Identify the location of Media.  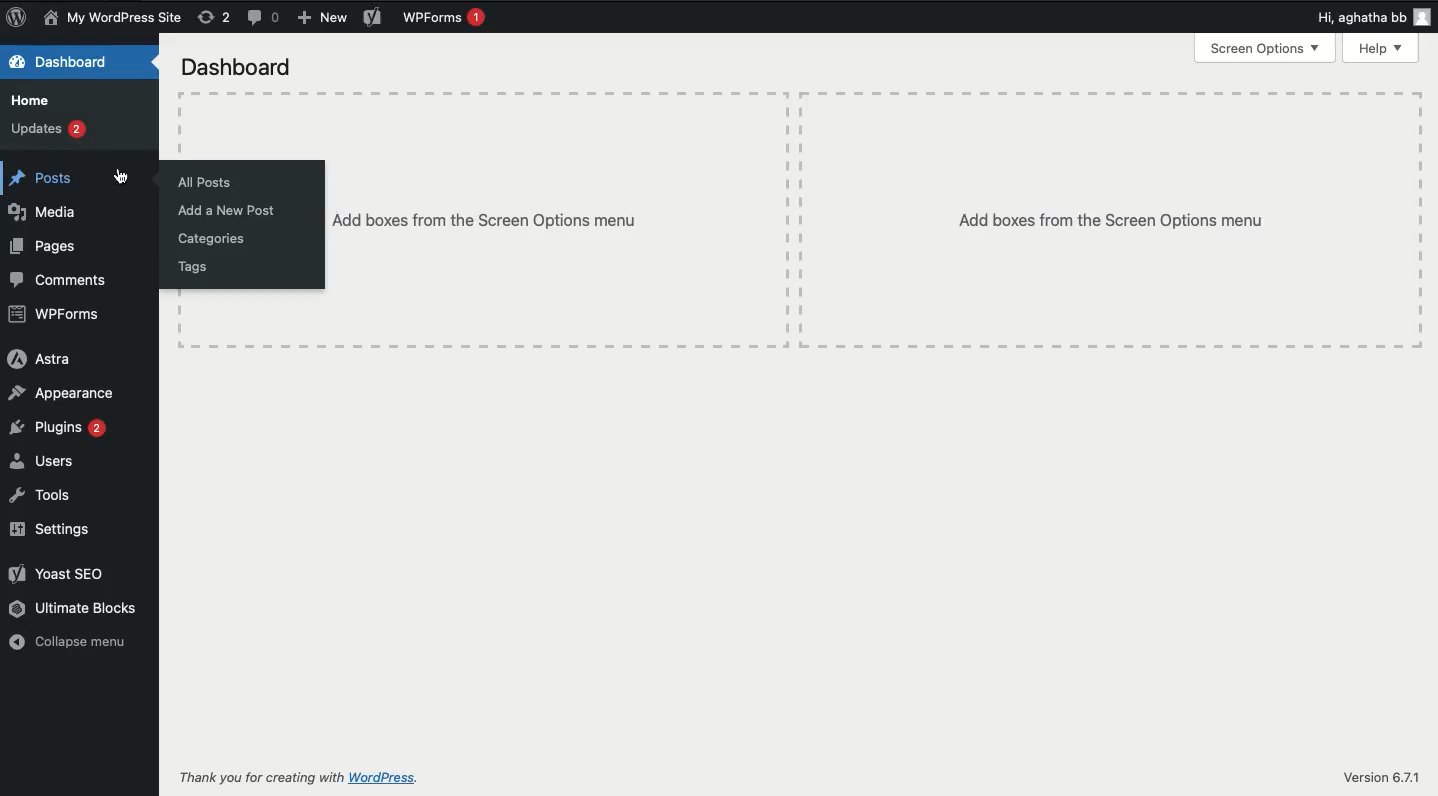
(43, 213).